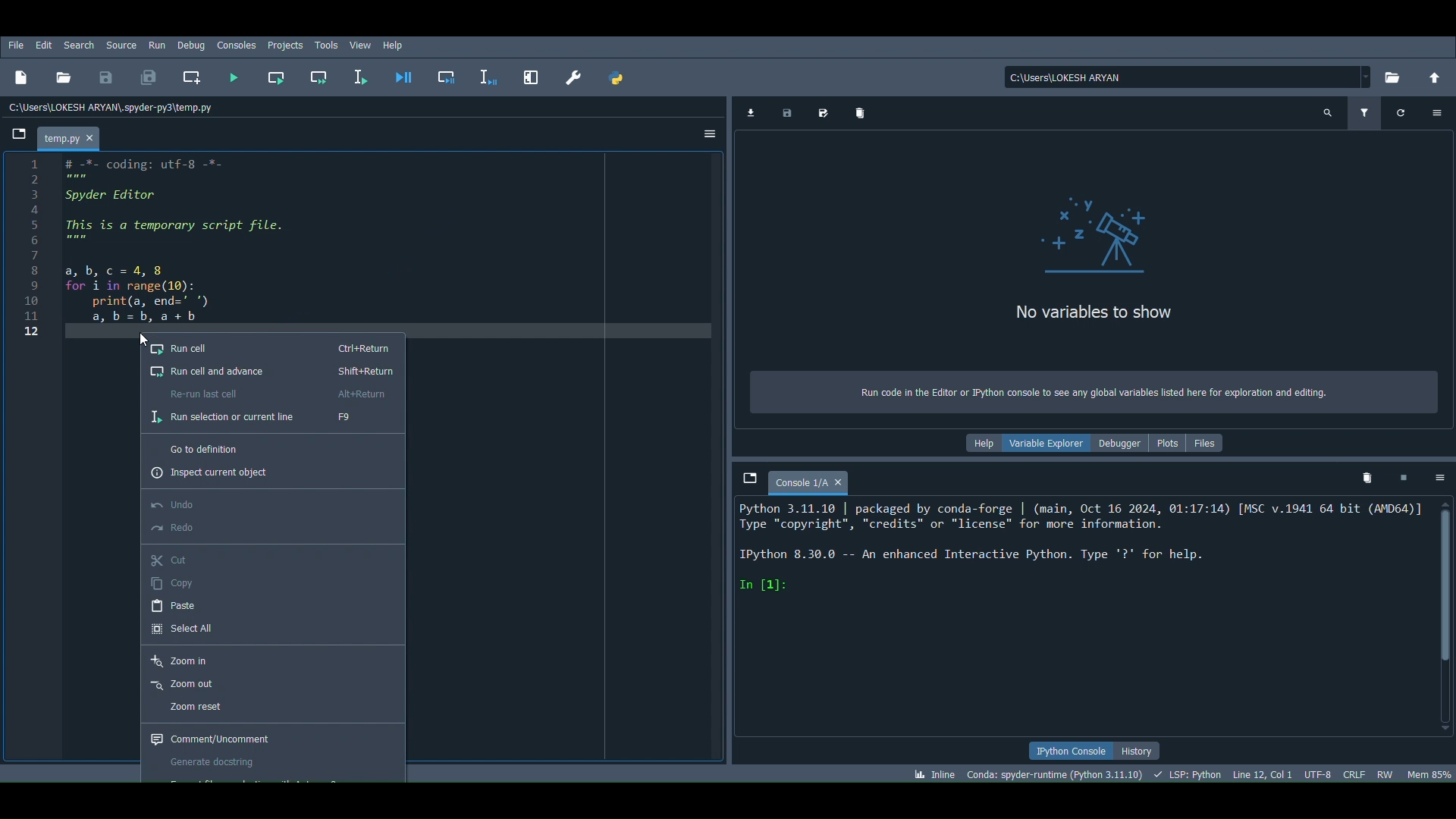 This screenshot has height=819, width=1456. What do you see at coordinates (273, 350) in the screenshot?
I see `Run cell` at bounding box center [273, 350].